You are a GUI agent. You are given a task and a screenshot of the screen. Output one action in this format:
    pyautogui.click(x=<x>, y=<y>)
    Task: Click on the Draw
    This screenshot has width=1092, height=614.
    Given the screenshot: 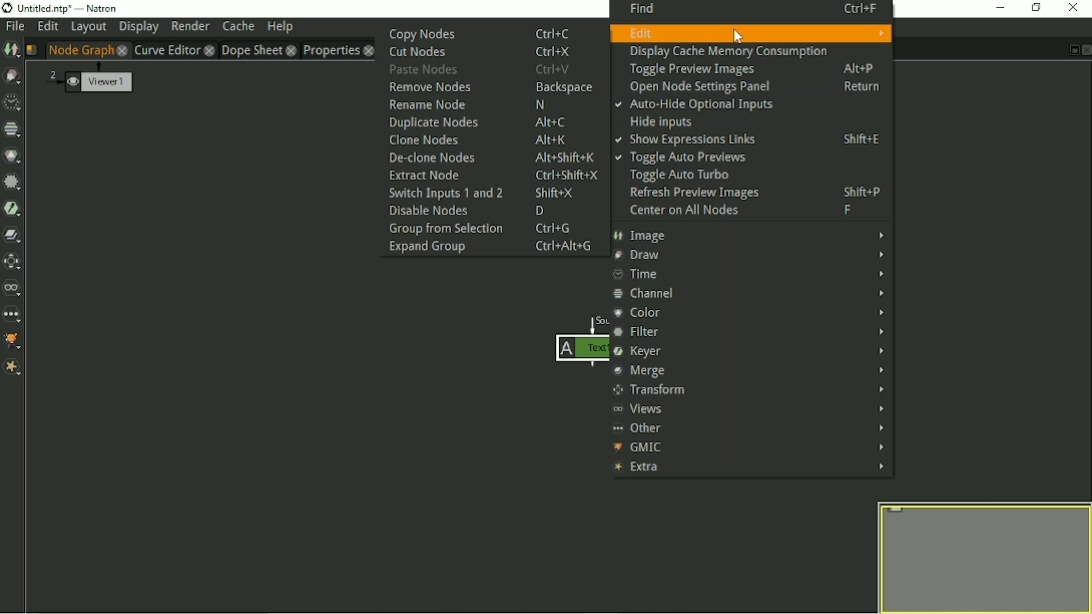 What is the action you would take?
    pyautogui.click(x=751, y=255)
    